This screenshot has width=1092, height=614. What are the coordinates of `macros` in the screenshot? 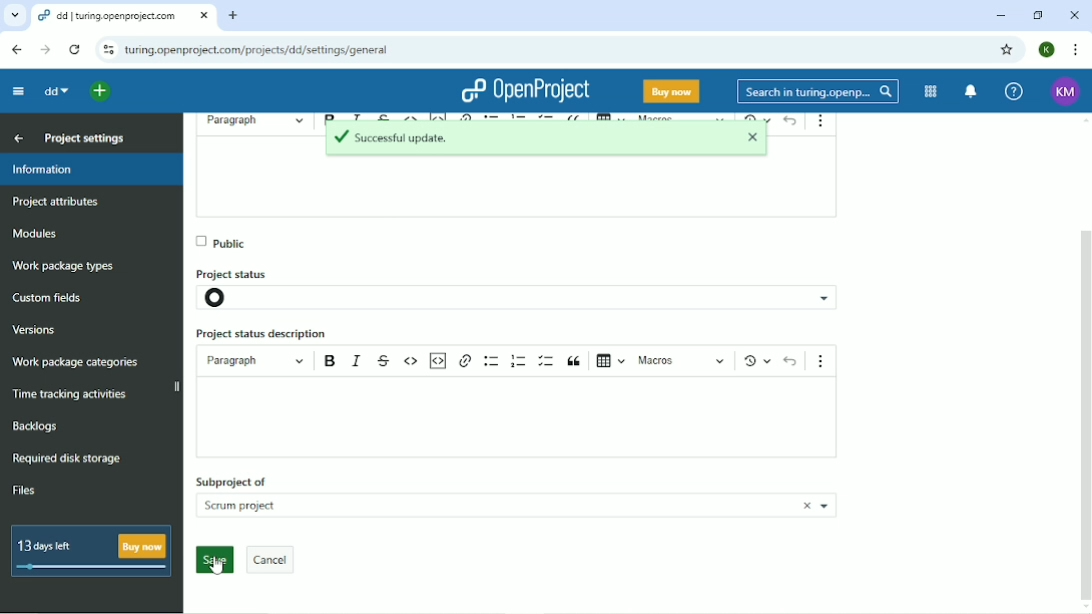 It's located at (682, 360).